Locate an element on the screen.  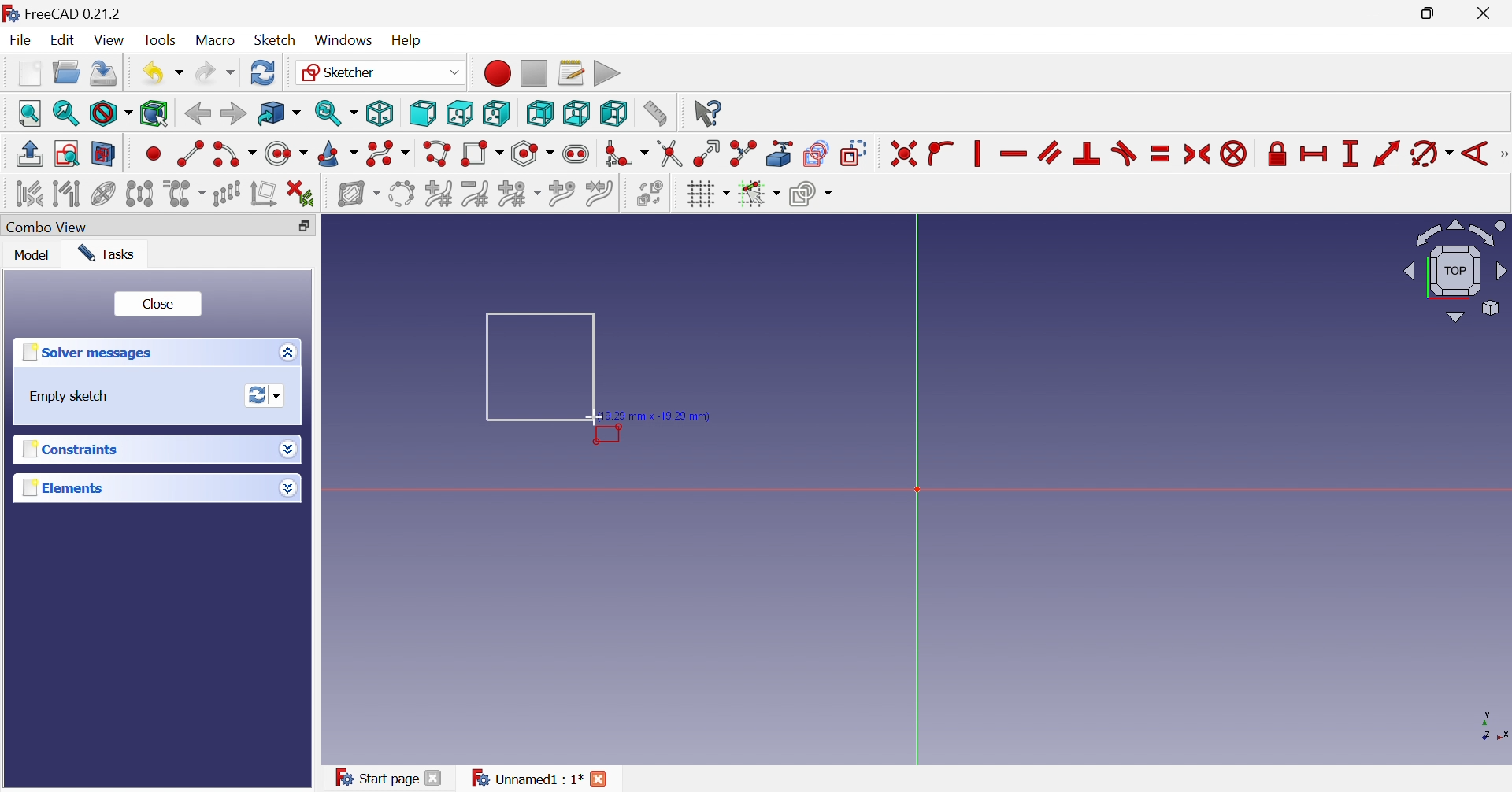
Constrain symmertical is located at coordinates (1198, 154).